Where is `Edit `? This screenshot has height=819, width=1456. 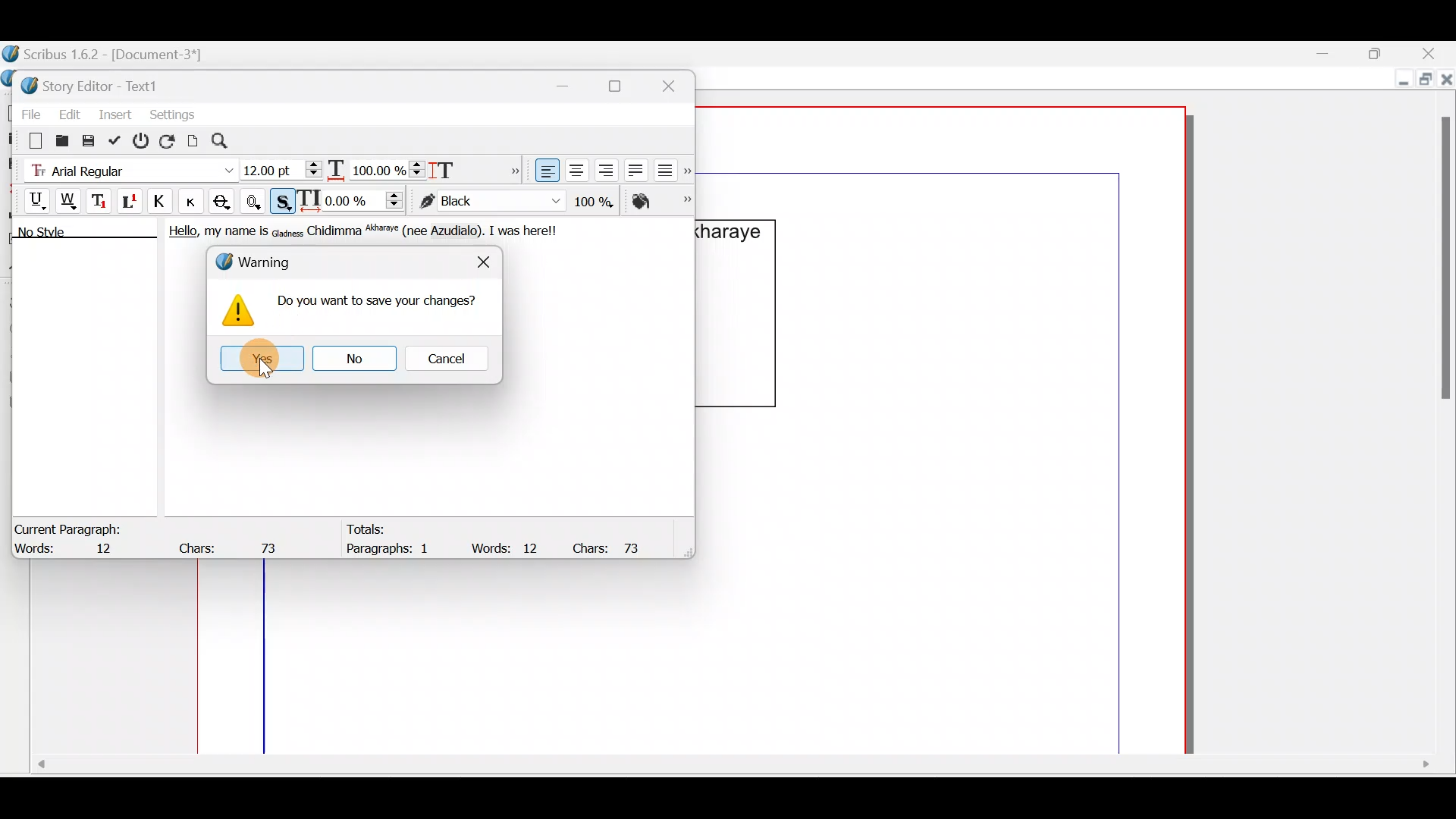 Edit  is located at coordinates (69, 111).